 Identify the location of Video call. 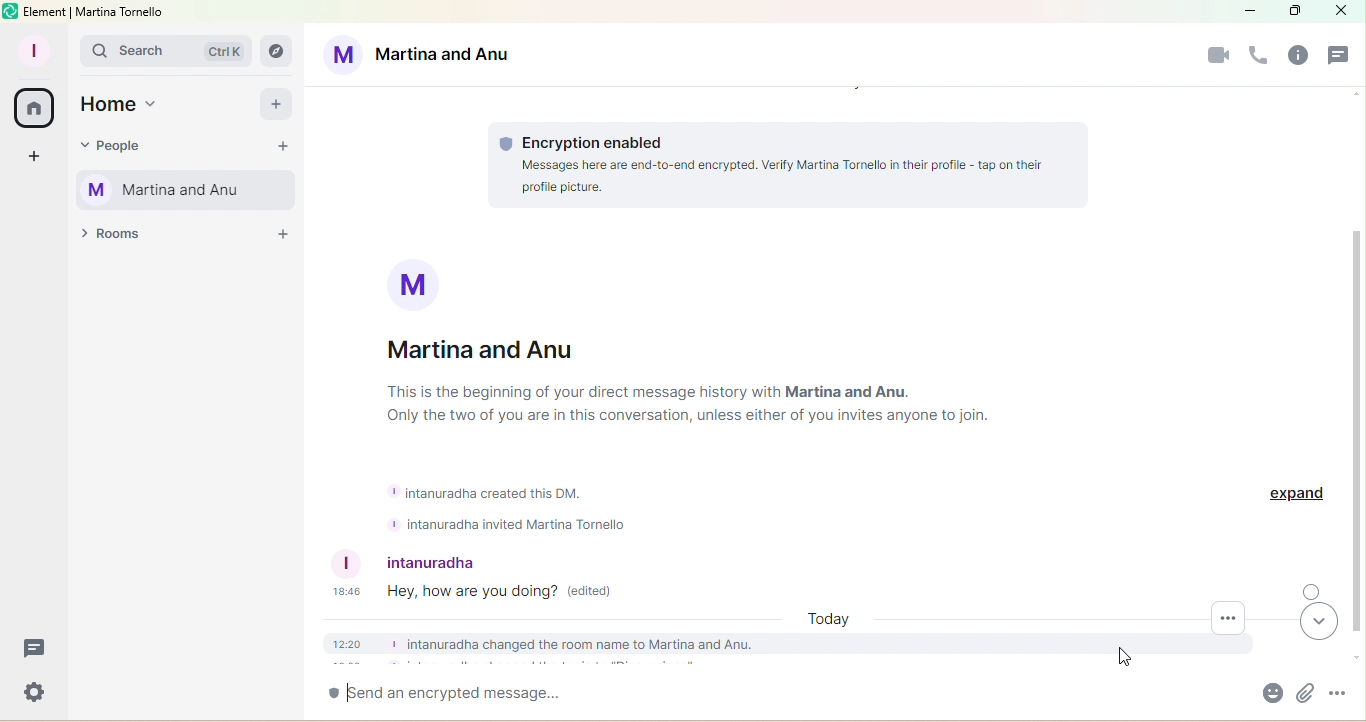
(1217, 58).